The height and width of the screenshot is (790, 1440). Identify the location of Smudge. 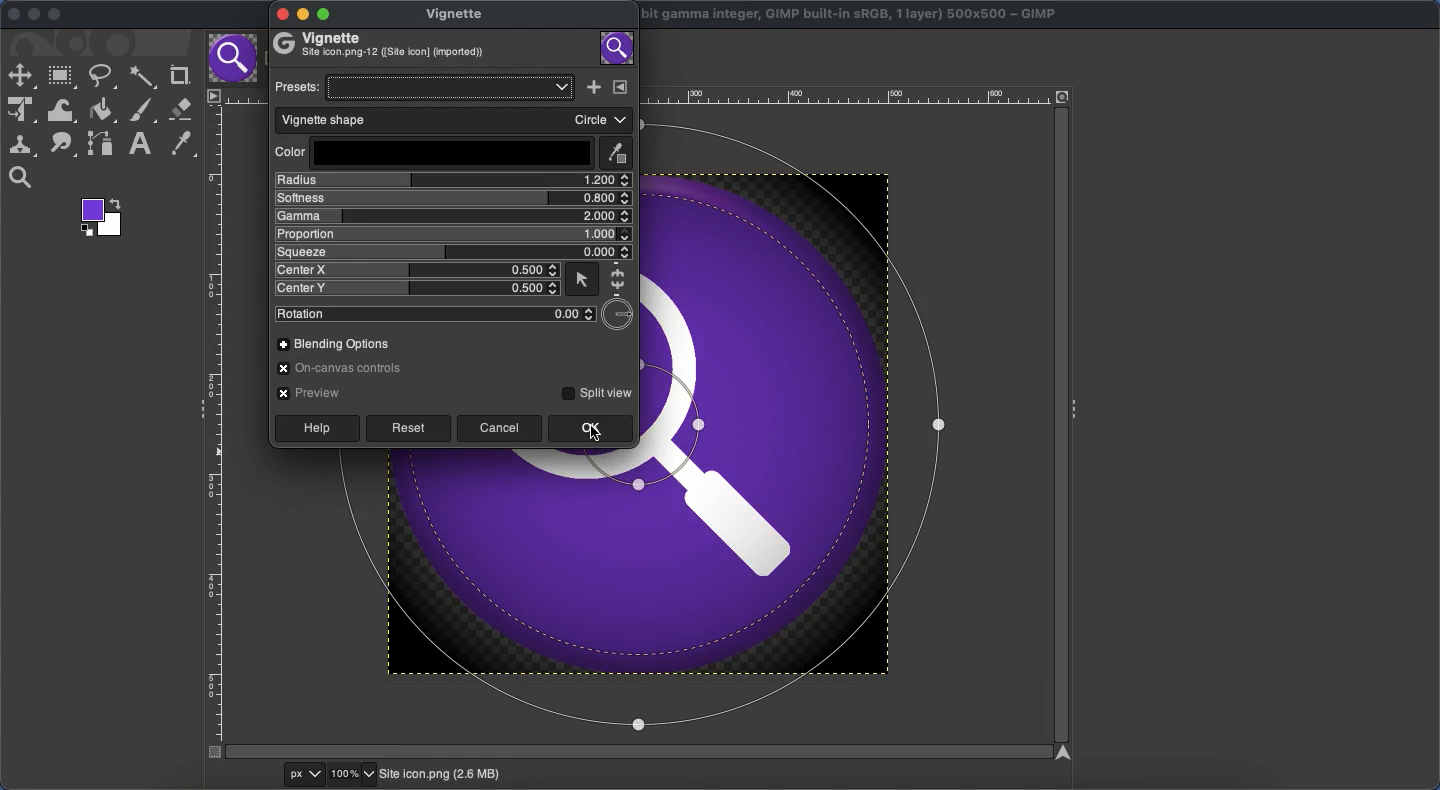
(63, 145).